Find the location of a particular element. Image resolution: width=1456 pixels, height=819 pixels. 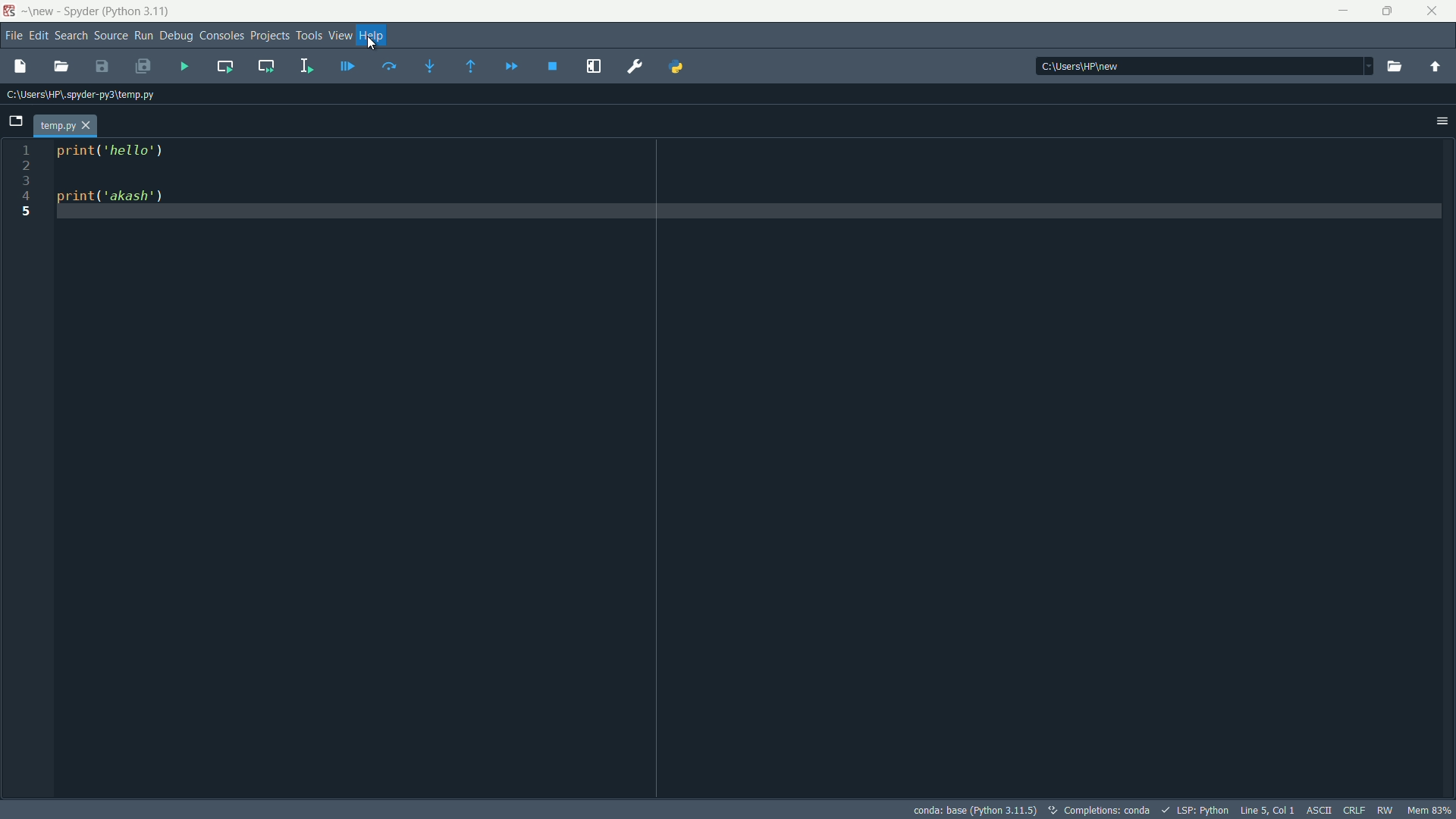

open file is located at coordinates (1398, 67).